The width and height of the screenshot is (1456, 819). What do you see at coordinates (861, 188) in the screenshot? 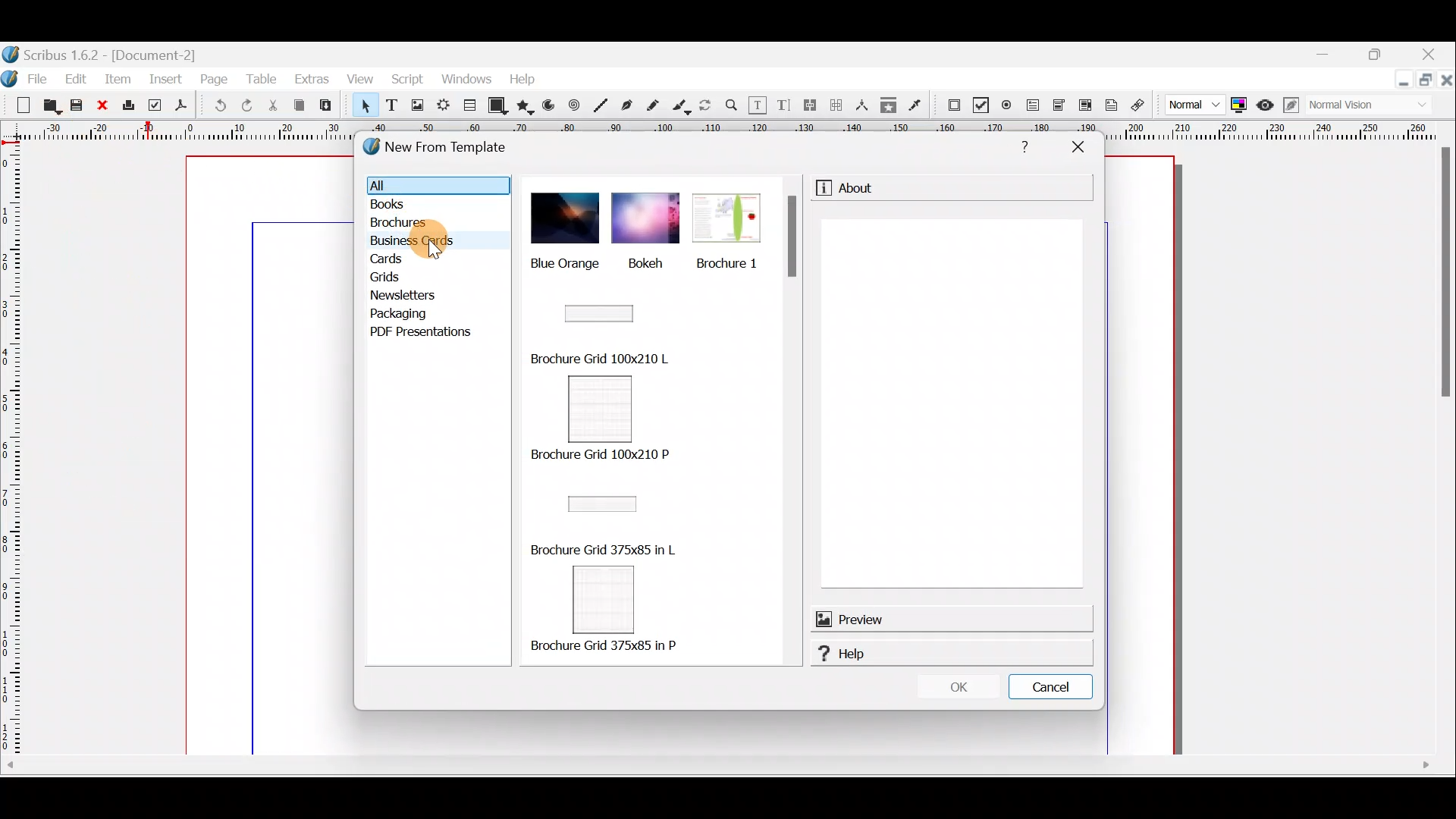
I see `About` at bounding box center [861, 188].